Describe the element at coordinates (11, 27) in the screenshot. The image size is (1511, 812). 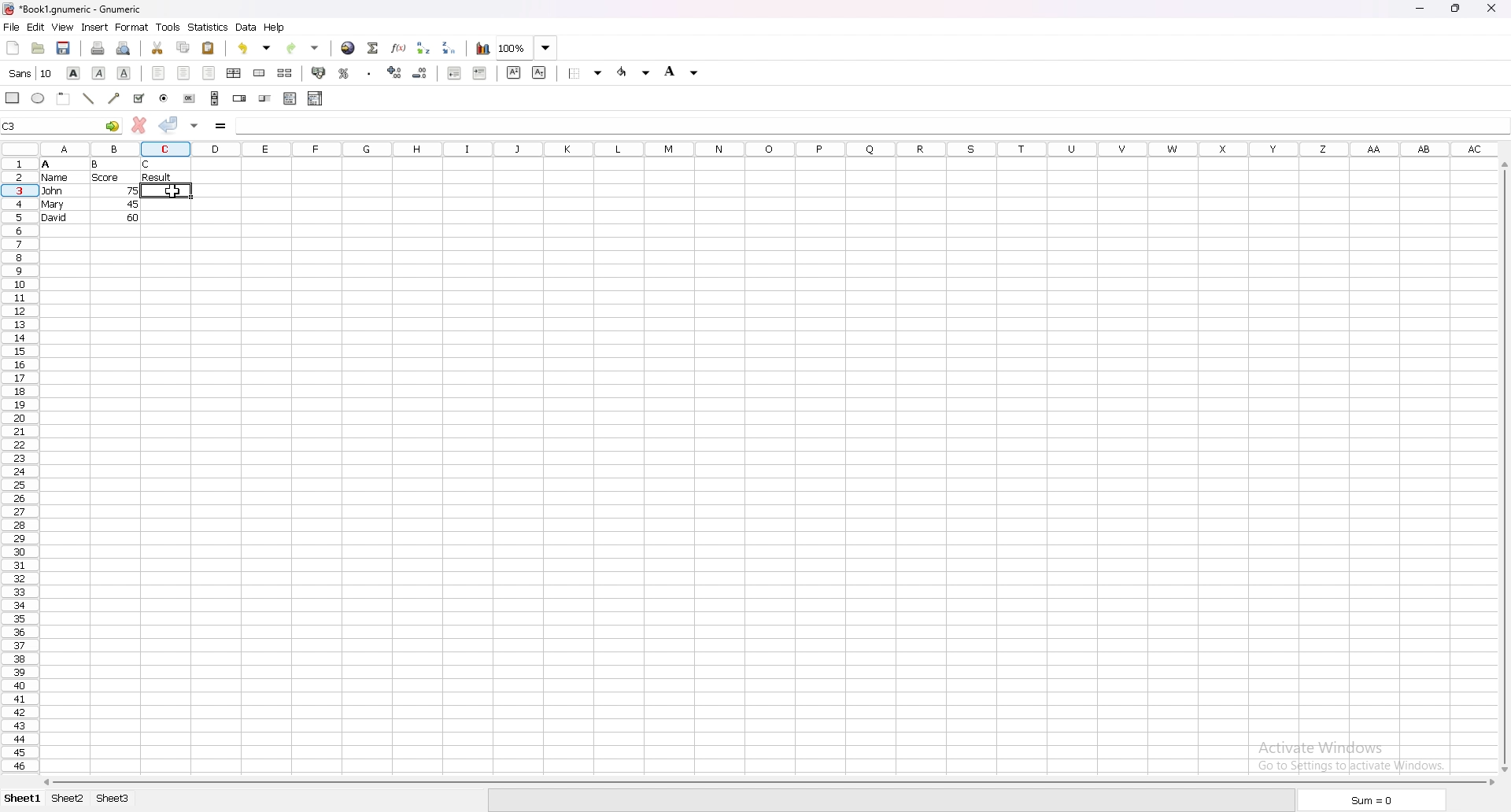
I see `file` at that location.